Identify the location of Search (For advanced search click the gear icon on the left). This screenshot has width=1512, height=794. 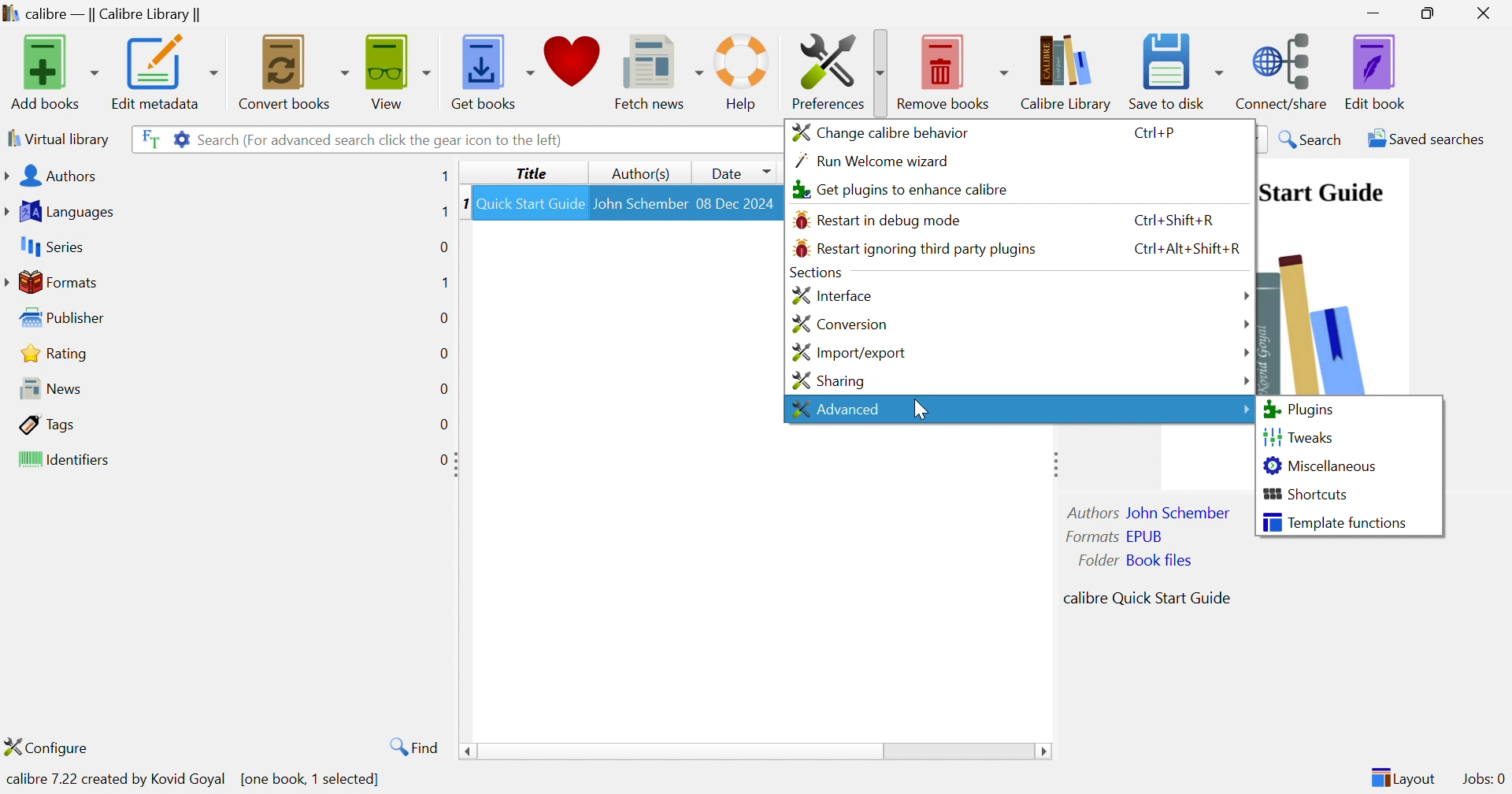
(382, 139).